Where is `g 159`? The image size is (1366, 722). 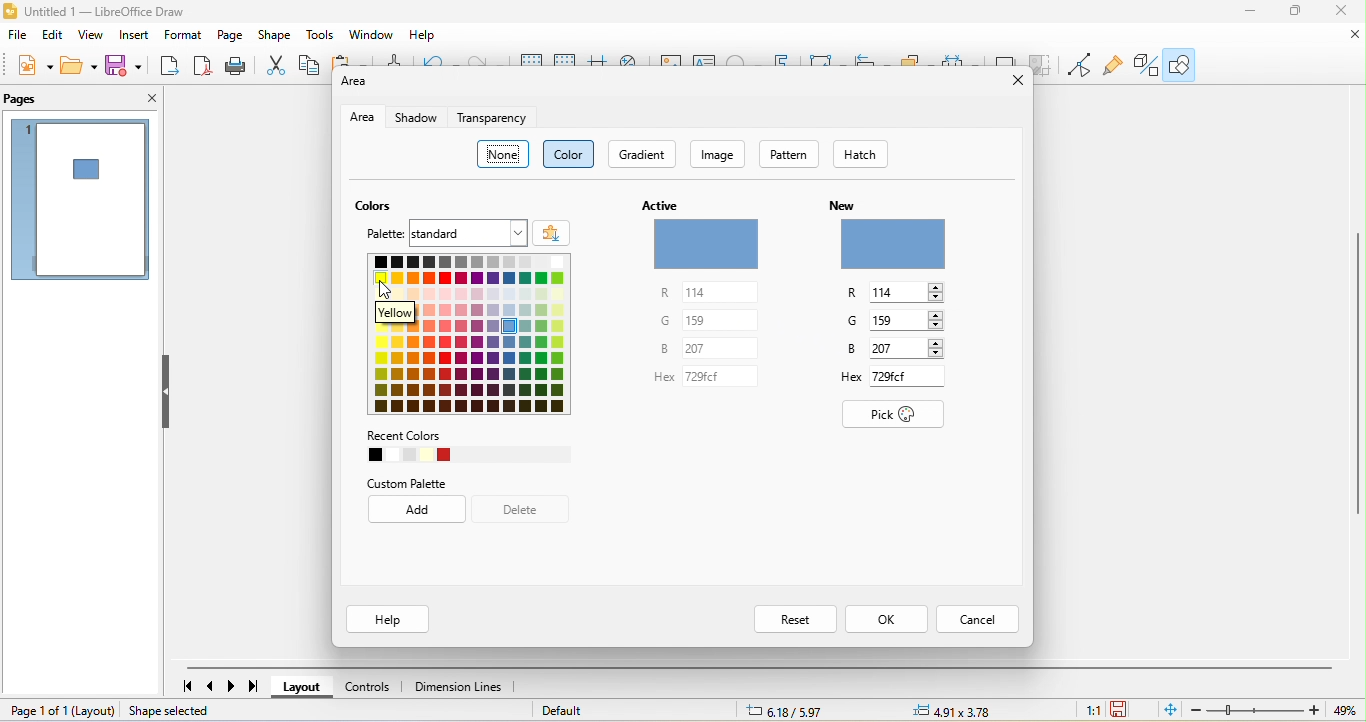 g 159 is located at coordinates (897, 320).